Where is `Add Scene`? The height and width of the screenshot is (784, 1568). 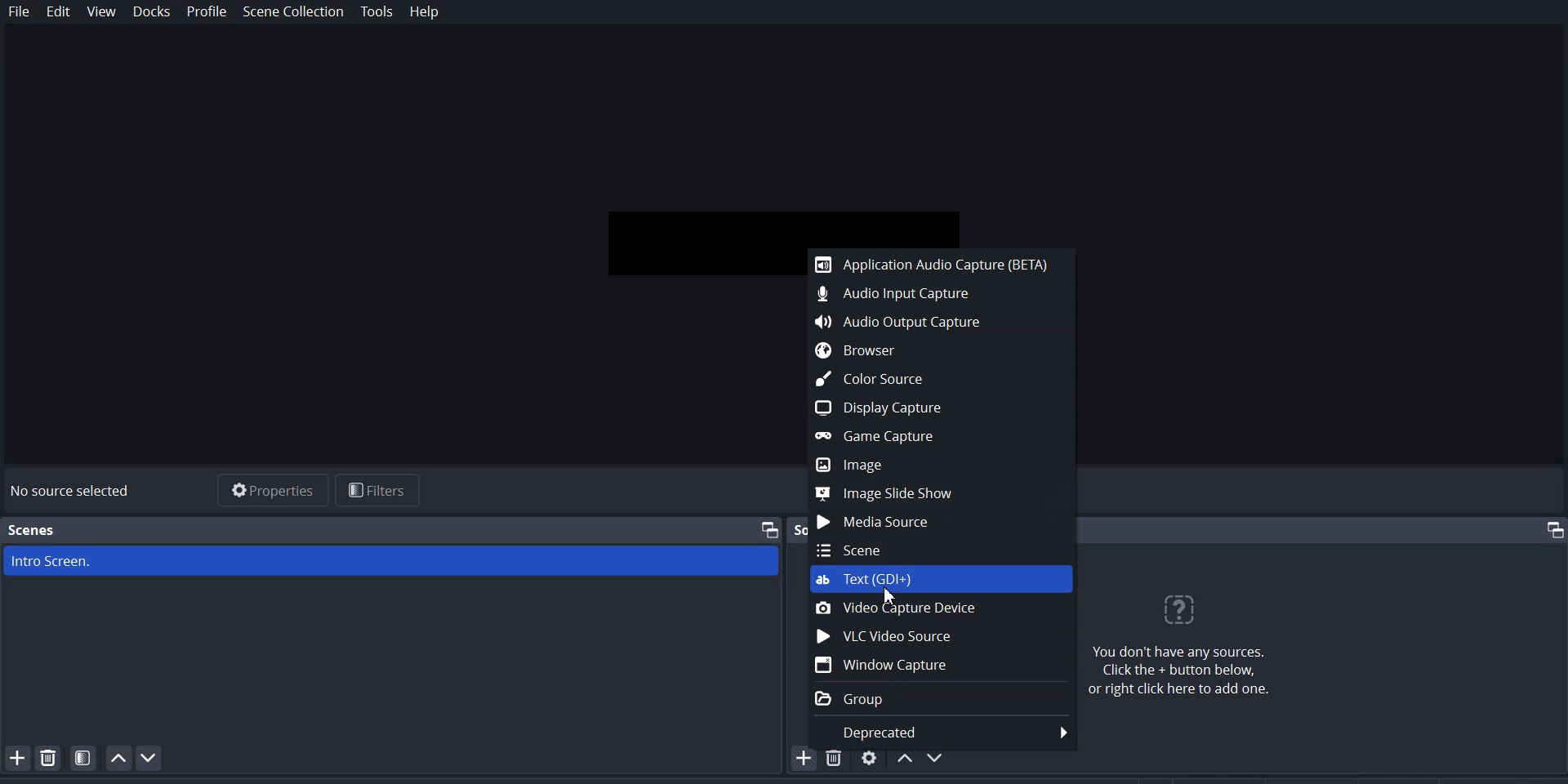
Add Scene is located at coordinates (15, 757).